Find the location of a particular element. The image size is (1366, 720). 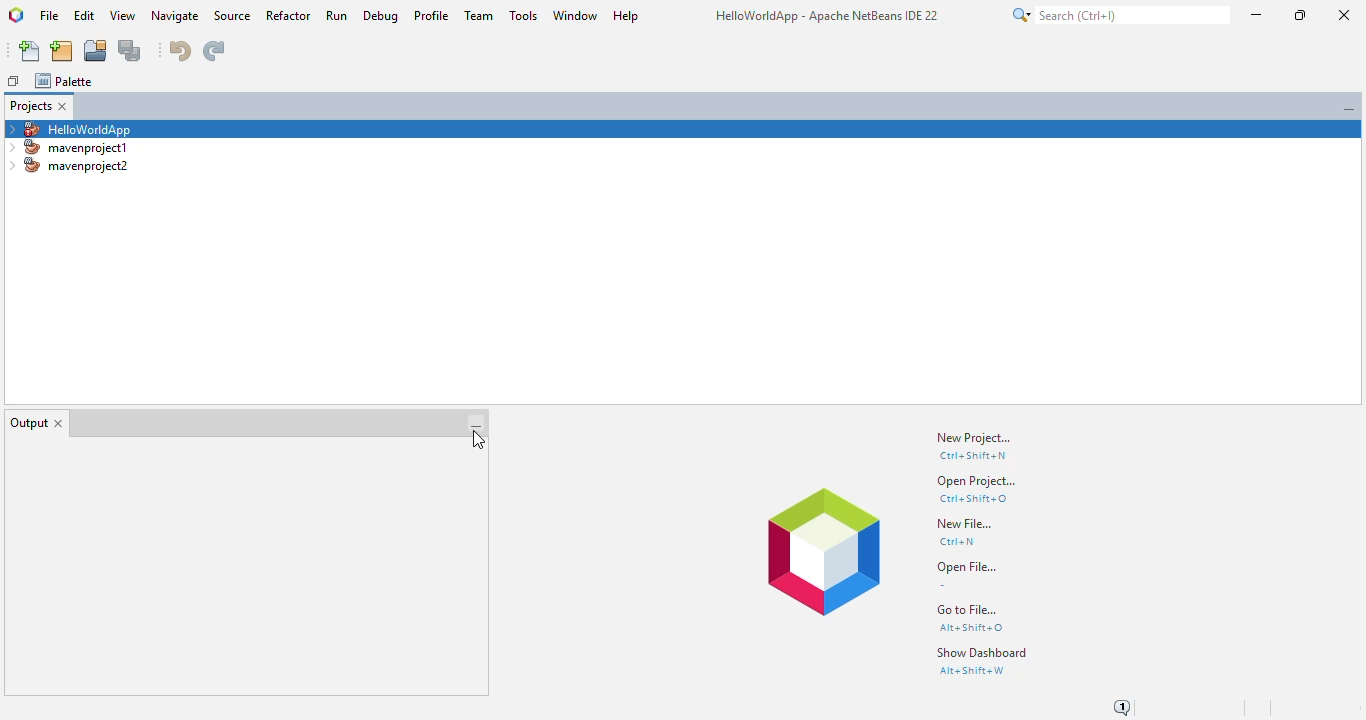

minimize window group is located at coordinates (1349, 109).